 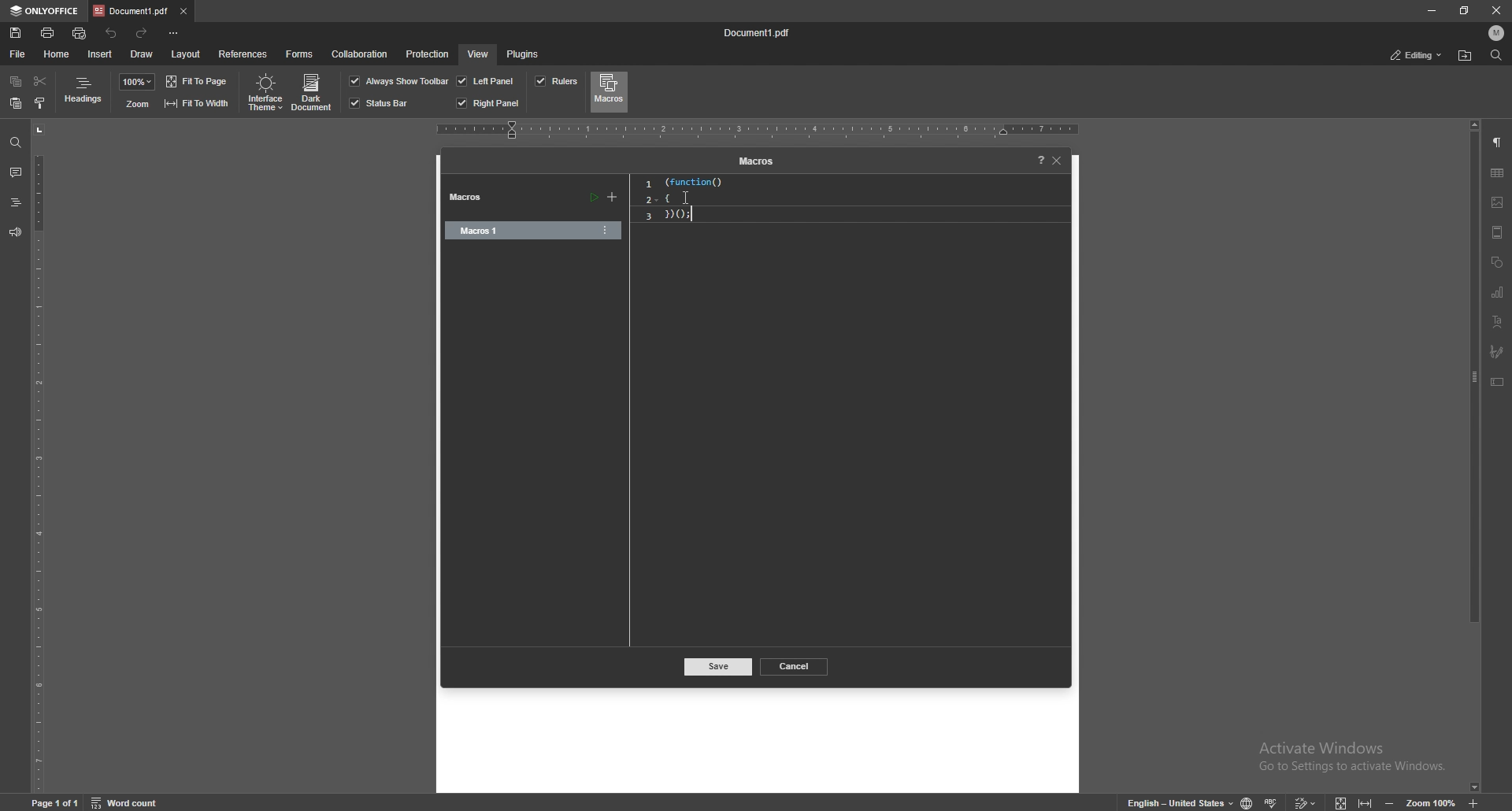 What do you see at coordinates (524, 54) in the screenshot?
I see `plugins` at bounding box center [524, 54].